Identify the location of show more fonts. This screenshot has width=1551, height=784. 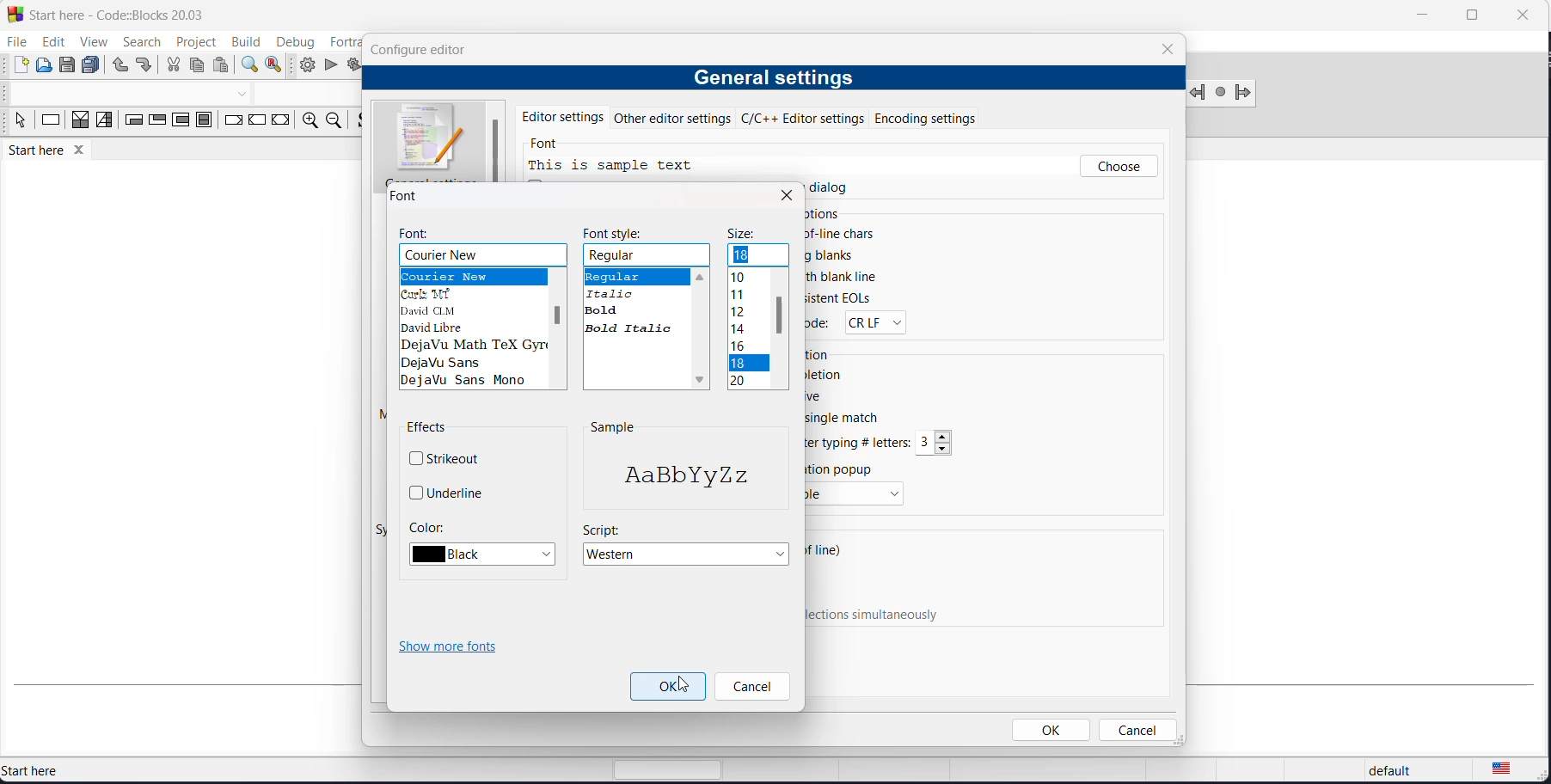
(452, 648).